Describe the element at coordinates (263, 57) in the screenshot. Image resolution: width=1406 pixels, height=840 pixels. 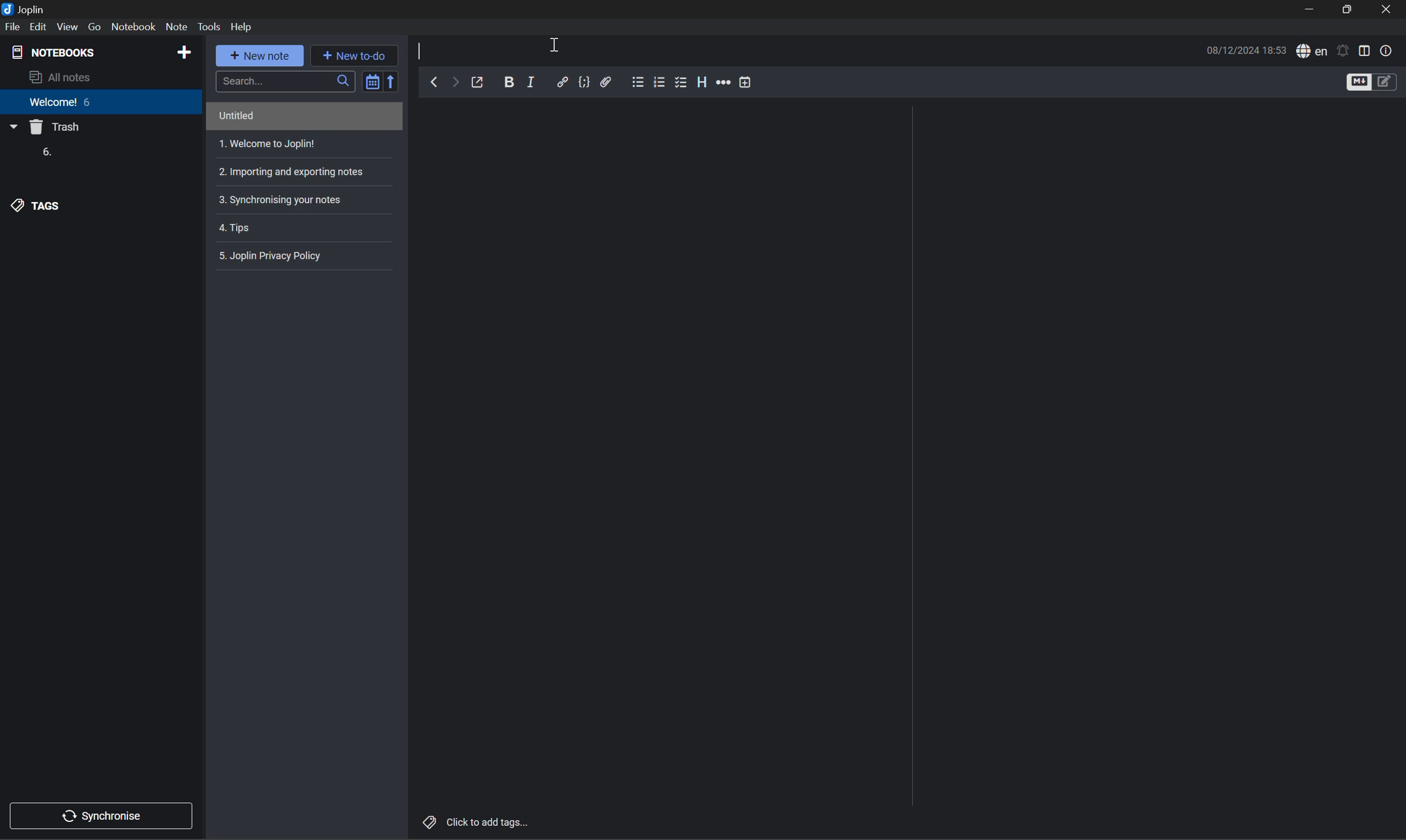
I see `New note` at that location.